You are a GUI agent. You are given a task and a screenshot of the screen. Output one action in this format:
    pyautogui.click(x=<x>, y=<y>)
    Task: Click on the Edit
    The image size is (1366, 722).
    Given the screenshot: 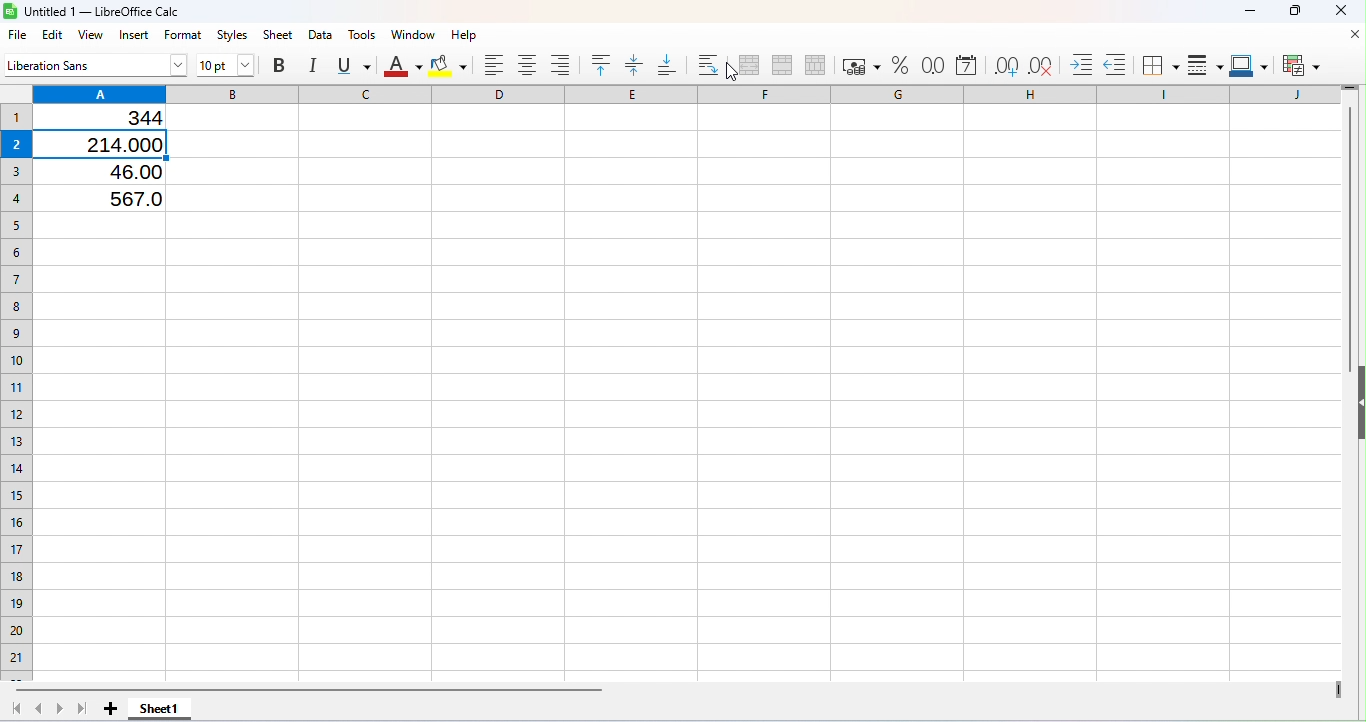 What is the action you would take?
    pyautogui.click(x=52, y=35)
    